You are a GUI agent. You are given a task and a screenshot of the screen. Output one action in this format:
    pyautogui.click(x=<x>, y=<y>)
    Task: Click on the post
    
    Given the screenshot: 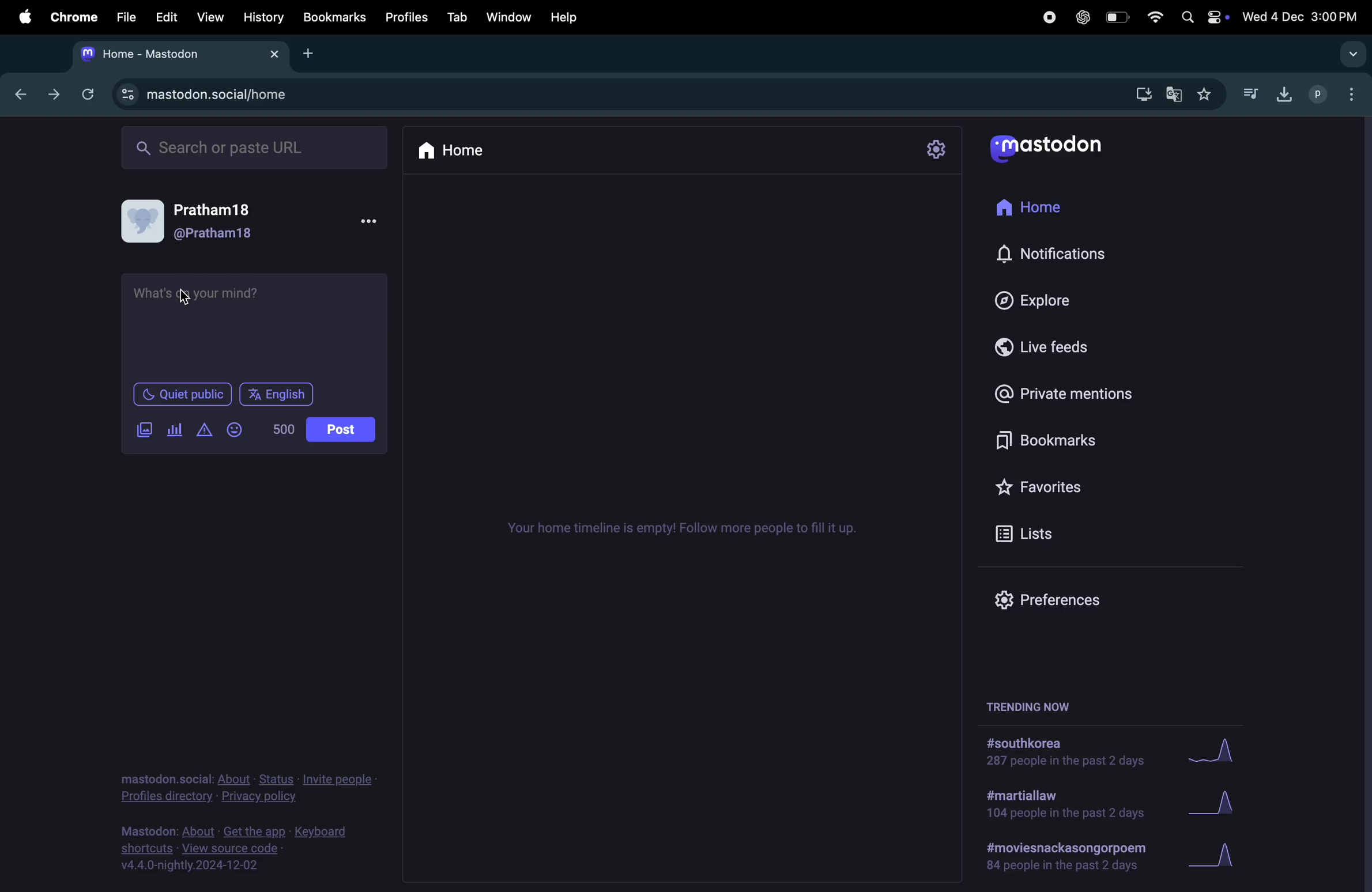 What is the action you would take?
    pyautogui.click(x=341, y=429)
    